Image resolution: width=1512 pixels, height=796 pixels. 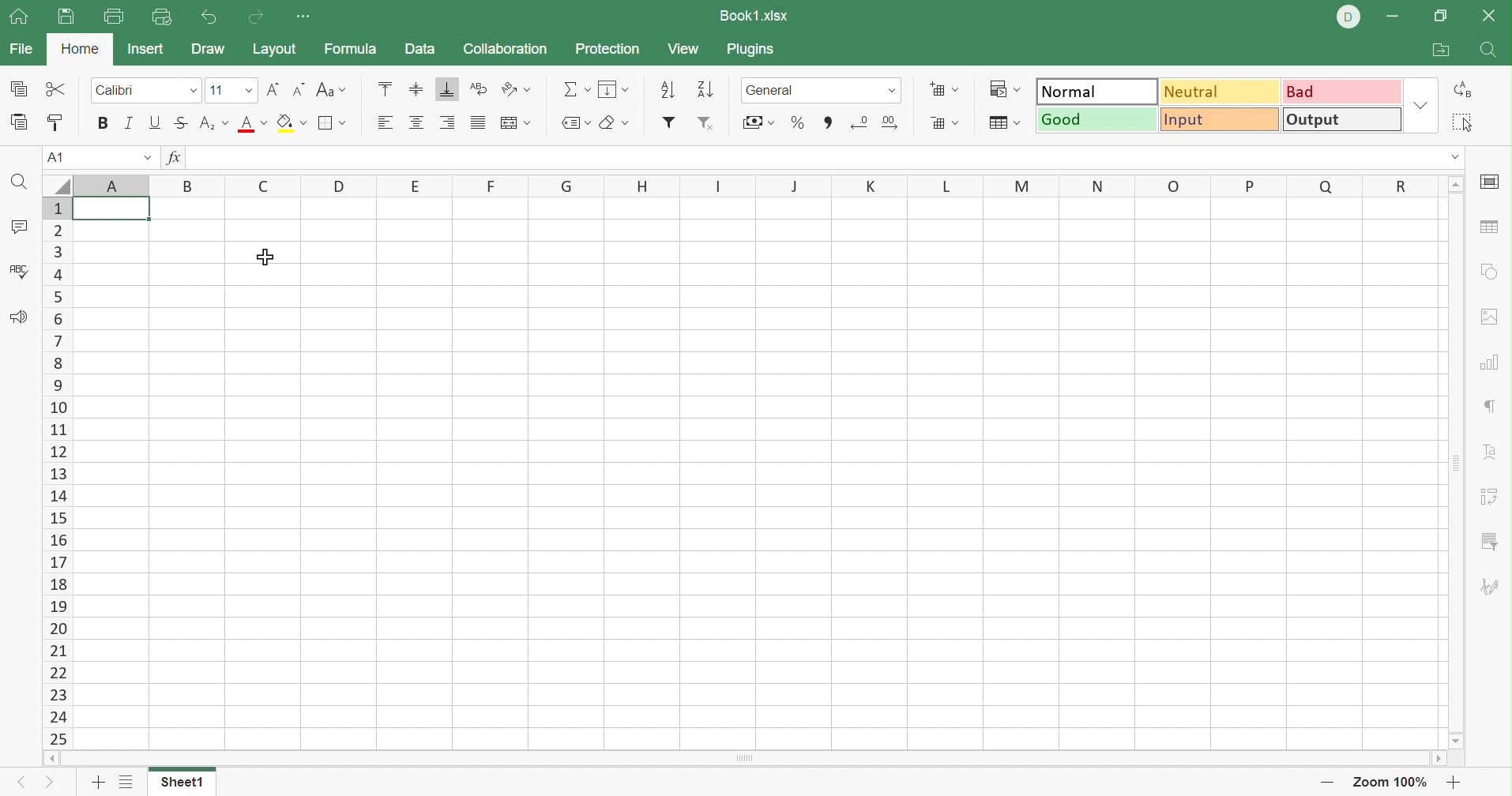 What do you see at coordinates (290, 123) in the screenshot?
I see `Fill color` at bounding box center [290, 123].